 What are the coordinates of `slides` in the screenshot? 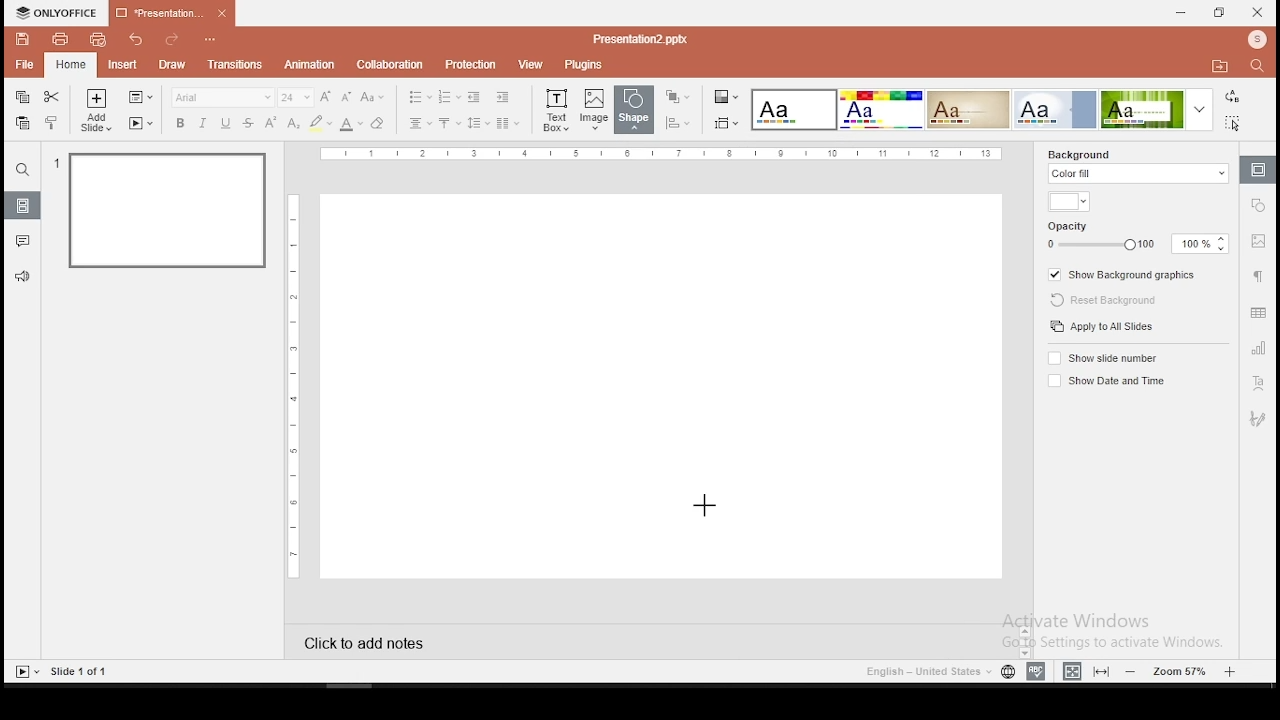 It's located at (21, 205).